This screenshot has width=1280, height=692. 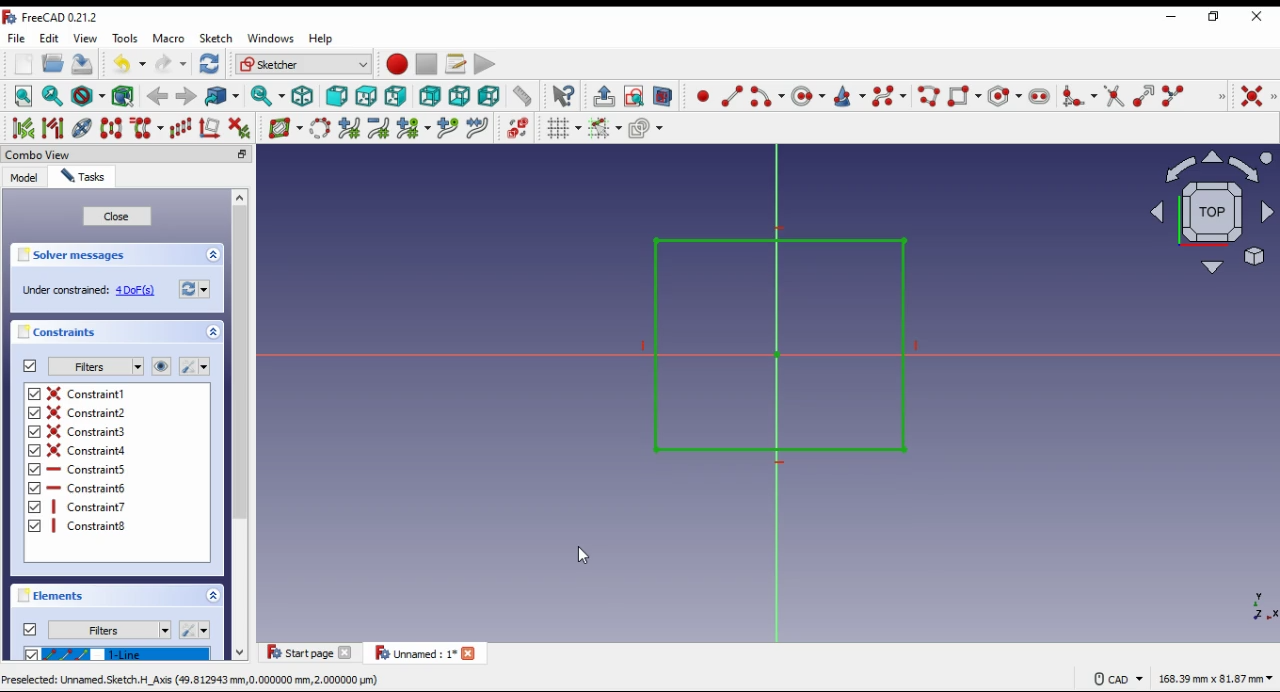 I want to click on create line, so click(x=732, y=96).